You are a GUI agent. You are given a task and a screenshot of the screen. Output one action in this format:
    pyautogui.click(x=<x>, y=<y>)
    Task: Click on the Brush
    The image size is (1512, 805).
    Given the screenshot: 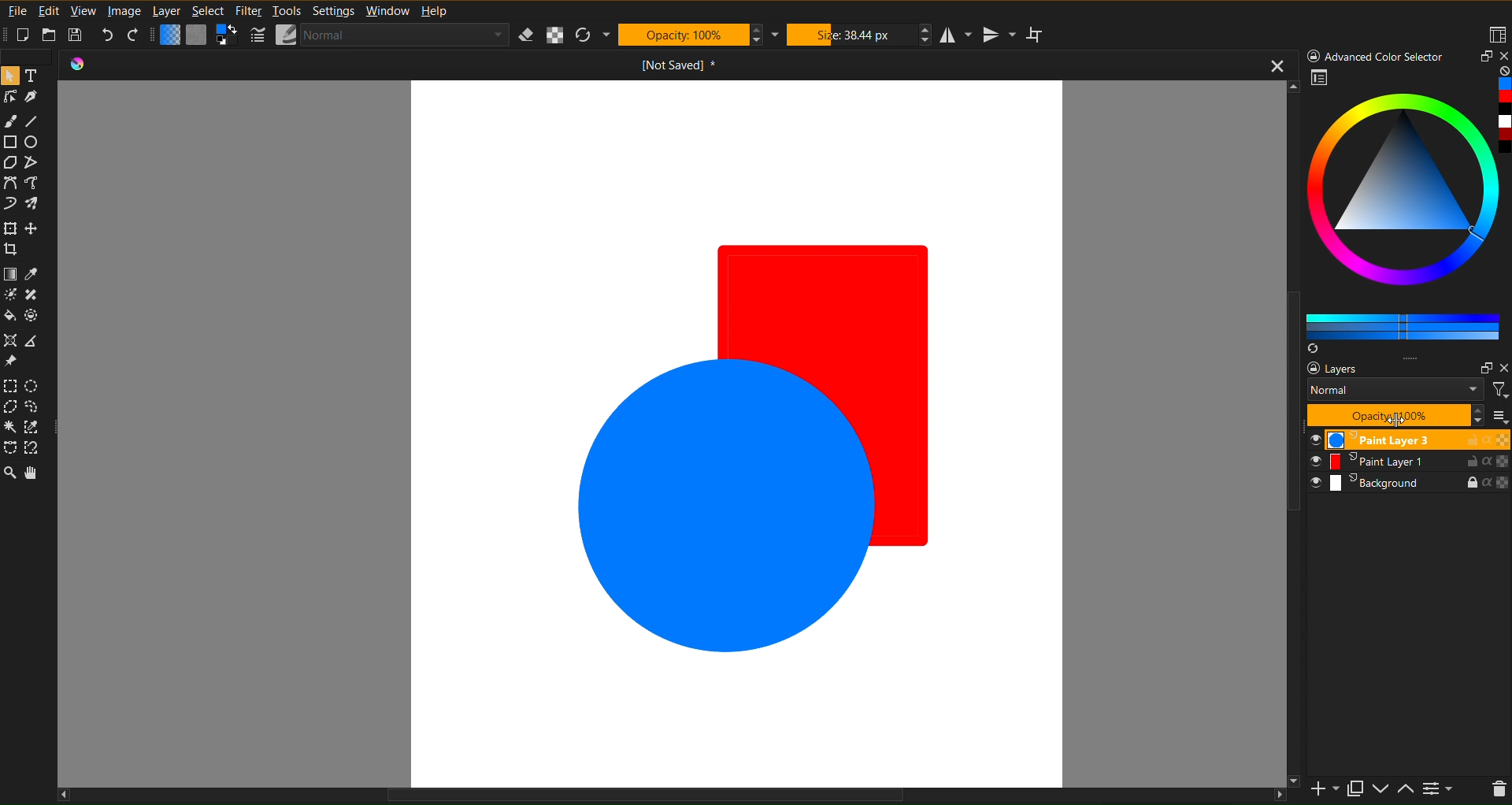 What is the action you would take?
    pyautogui.click(x=13, y=122)
    